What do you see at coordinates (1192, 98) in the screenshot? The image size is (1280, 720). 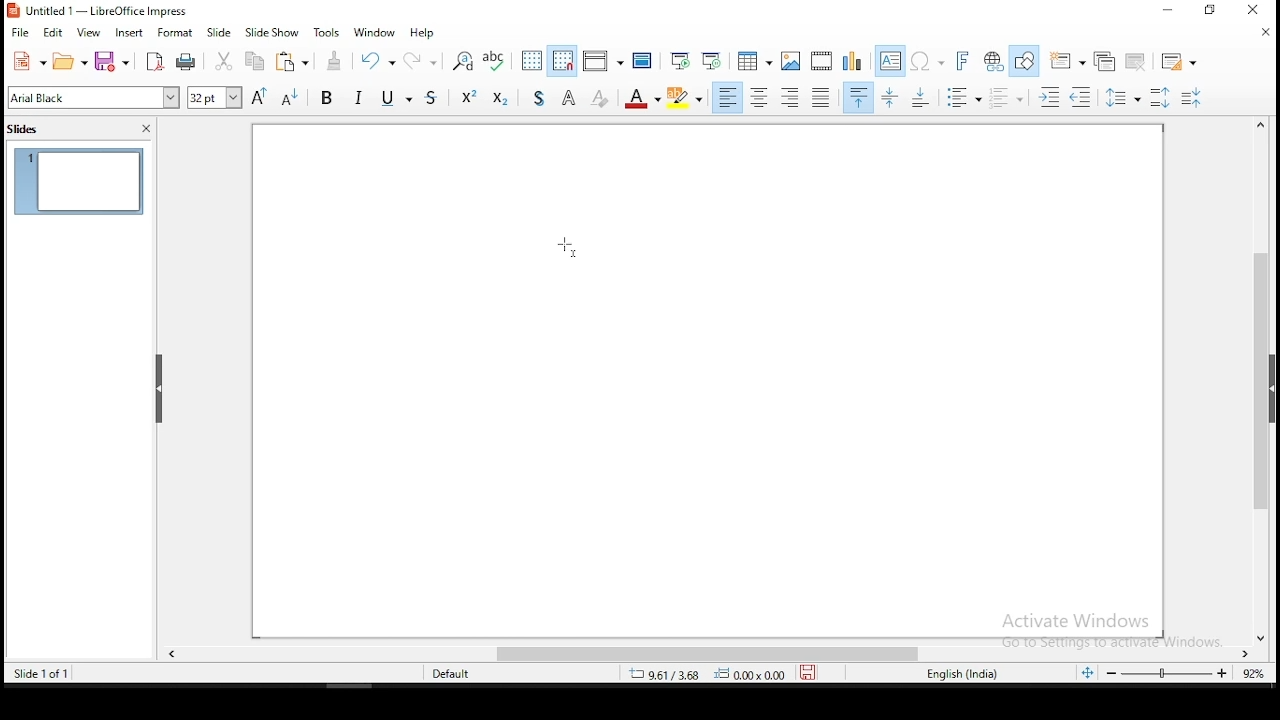 I see `Decrease Line Spacing` at bounding box center [1192, 98].